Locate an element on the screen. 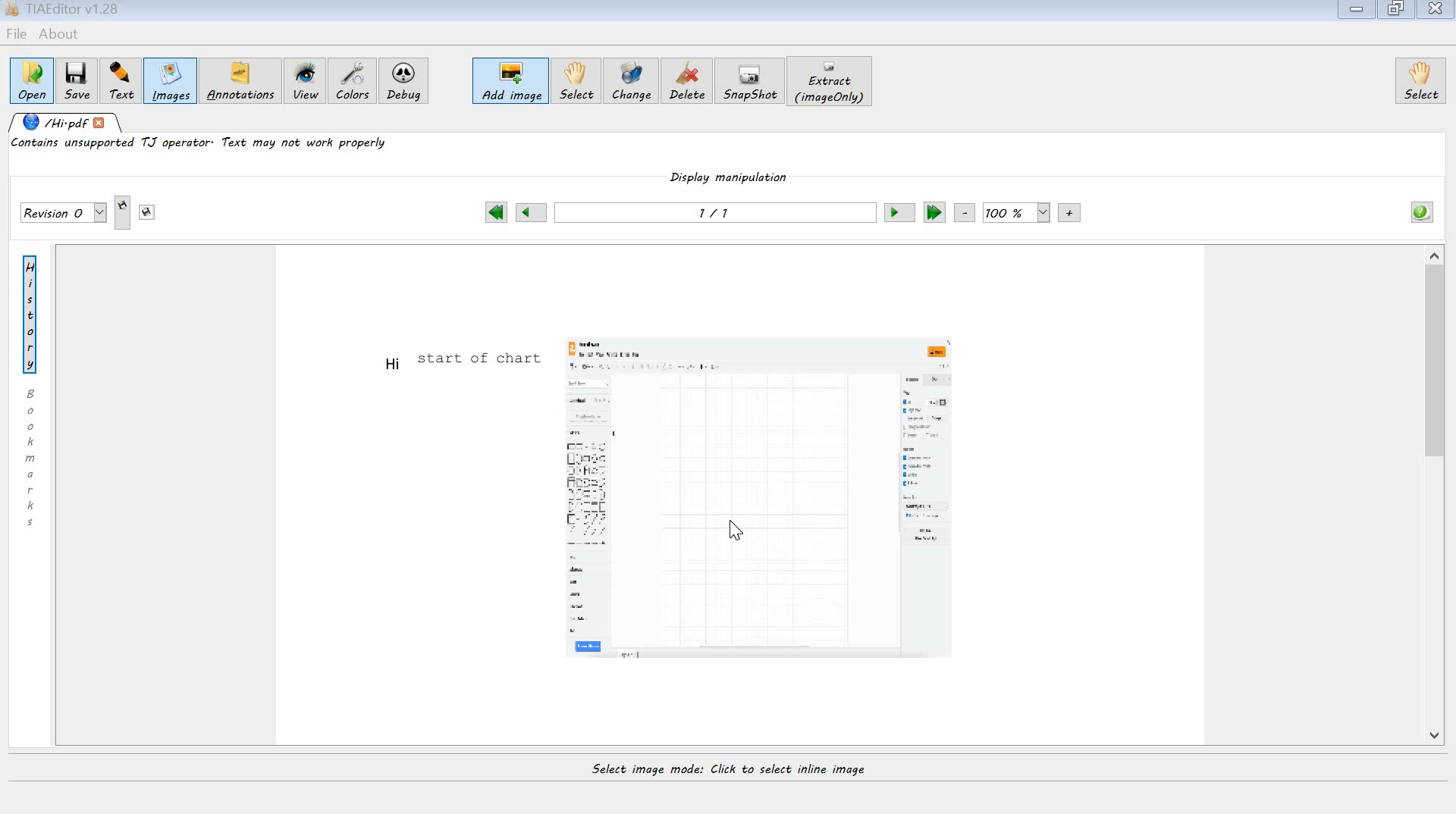 Image resolution: width=1456 pixels, height=814 pixels. add image is located at coordinates (511, 83).